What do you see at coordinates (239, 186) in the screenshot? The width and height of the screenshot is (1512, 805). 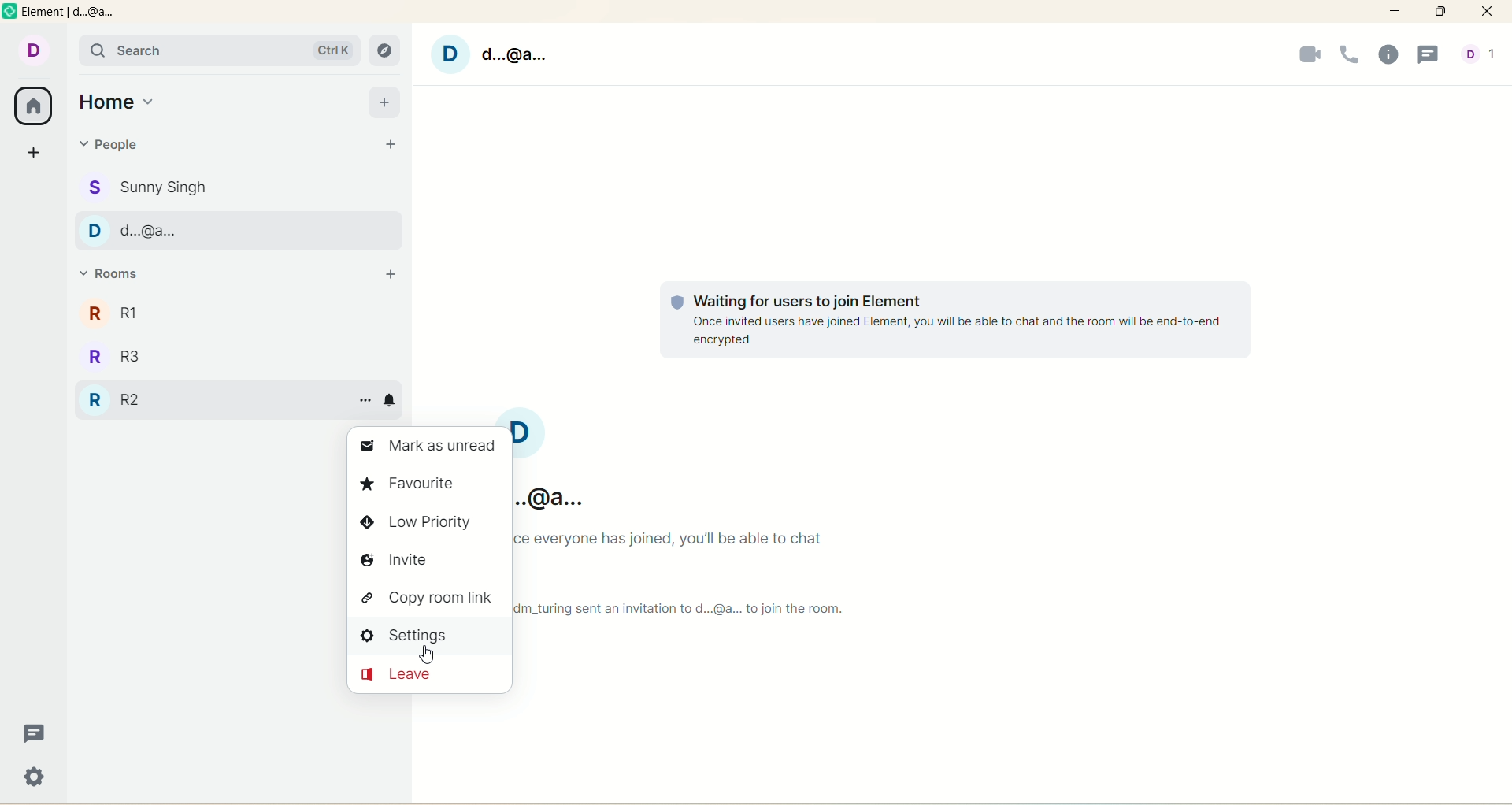 I see `sunny singh` at bounding box center [239, 186].